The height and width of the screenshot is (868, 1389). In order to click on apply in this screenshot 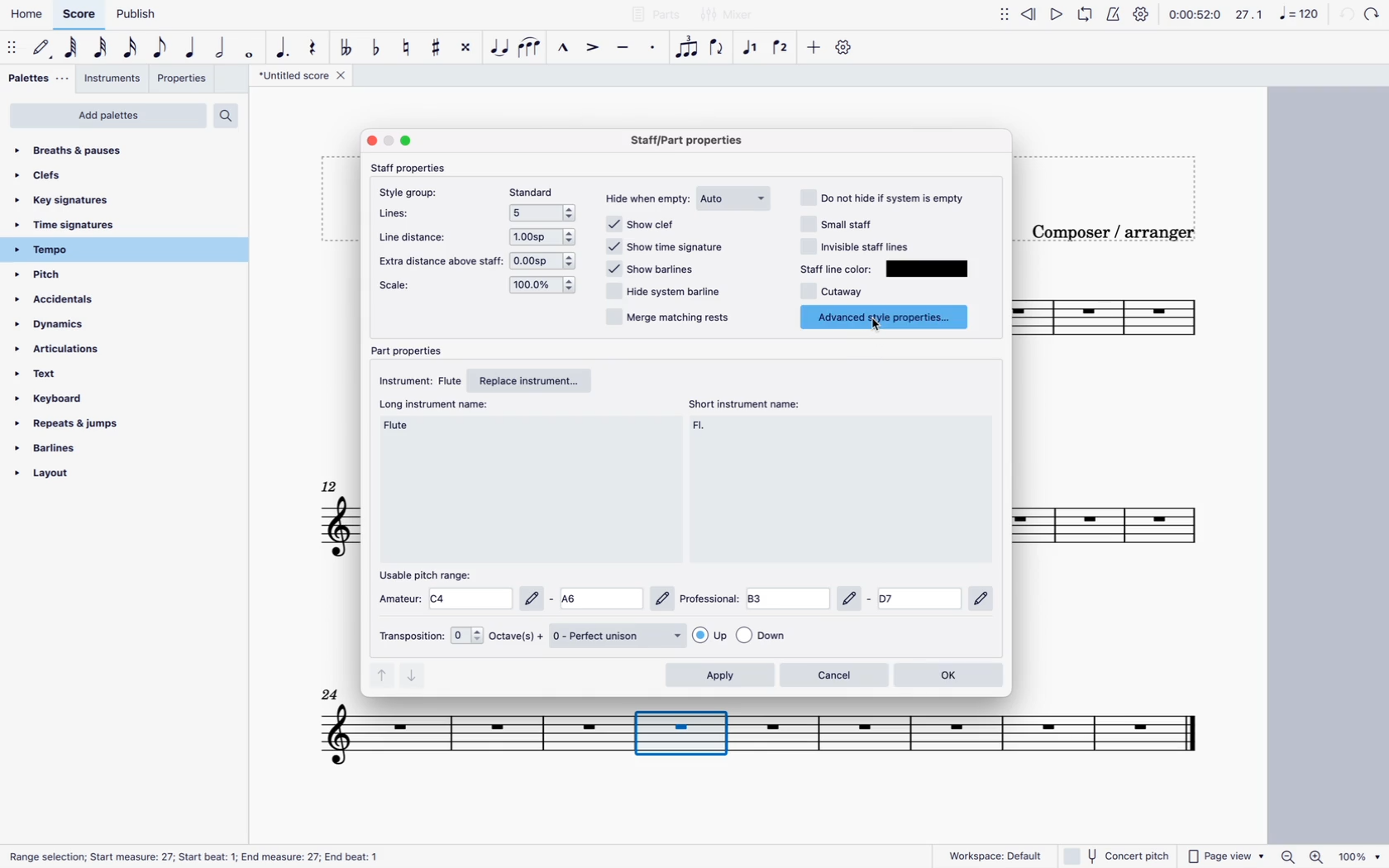, I will do `click(720, 675)`.